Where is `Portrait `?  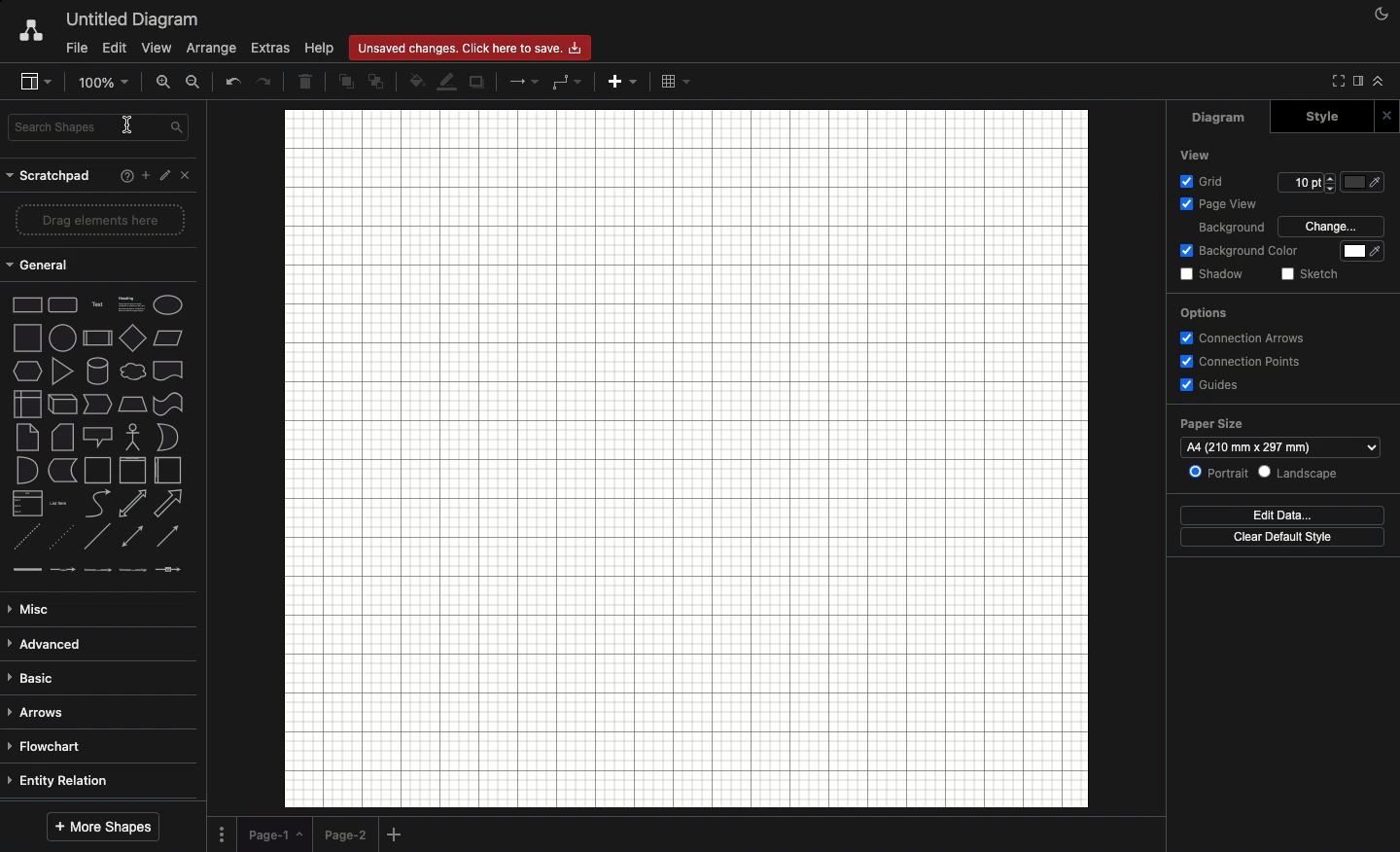
Portrait  is located at coordinates (1218, 473).